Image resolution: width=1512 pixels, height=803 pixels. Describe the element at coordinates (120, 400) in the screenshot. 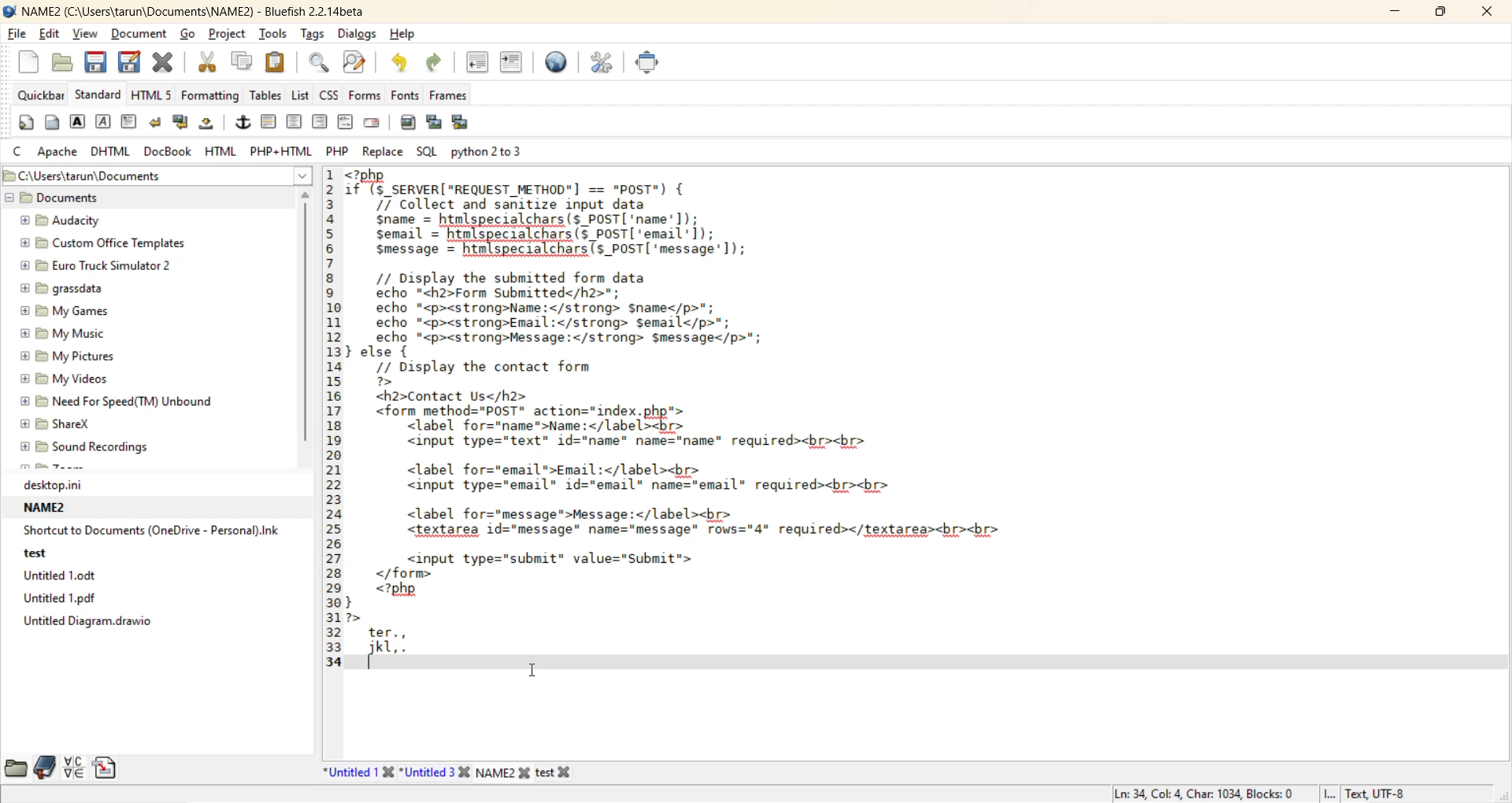

I see `Need For Speed(TM) Unbound` at that location.